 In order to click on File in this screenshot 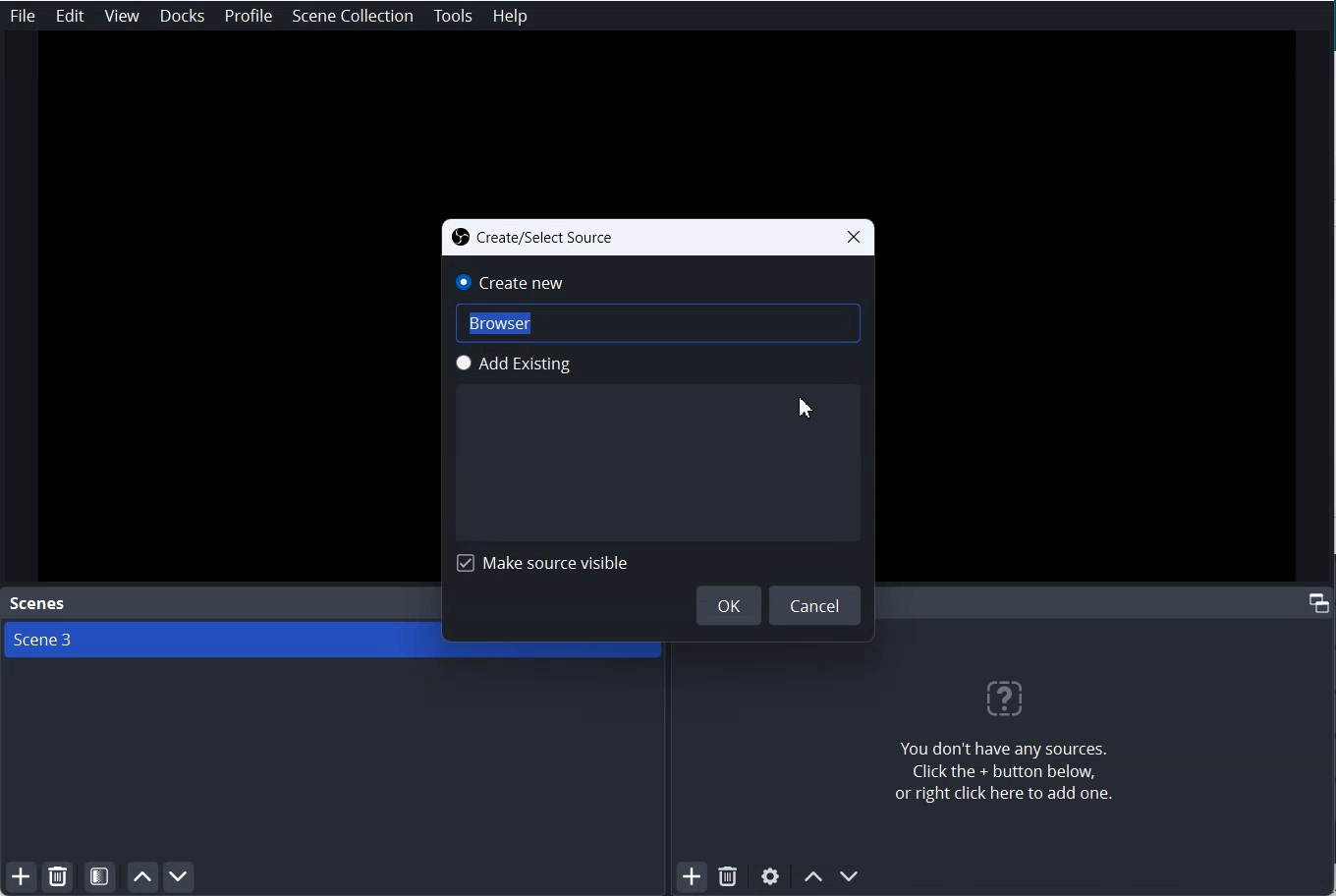, I will do `click(23, 15)`.